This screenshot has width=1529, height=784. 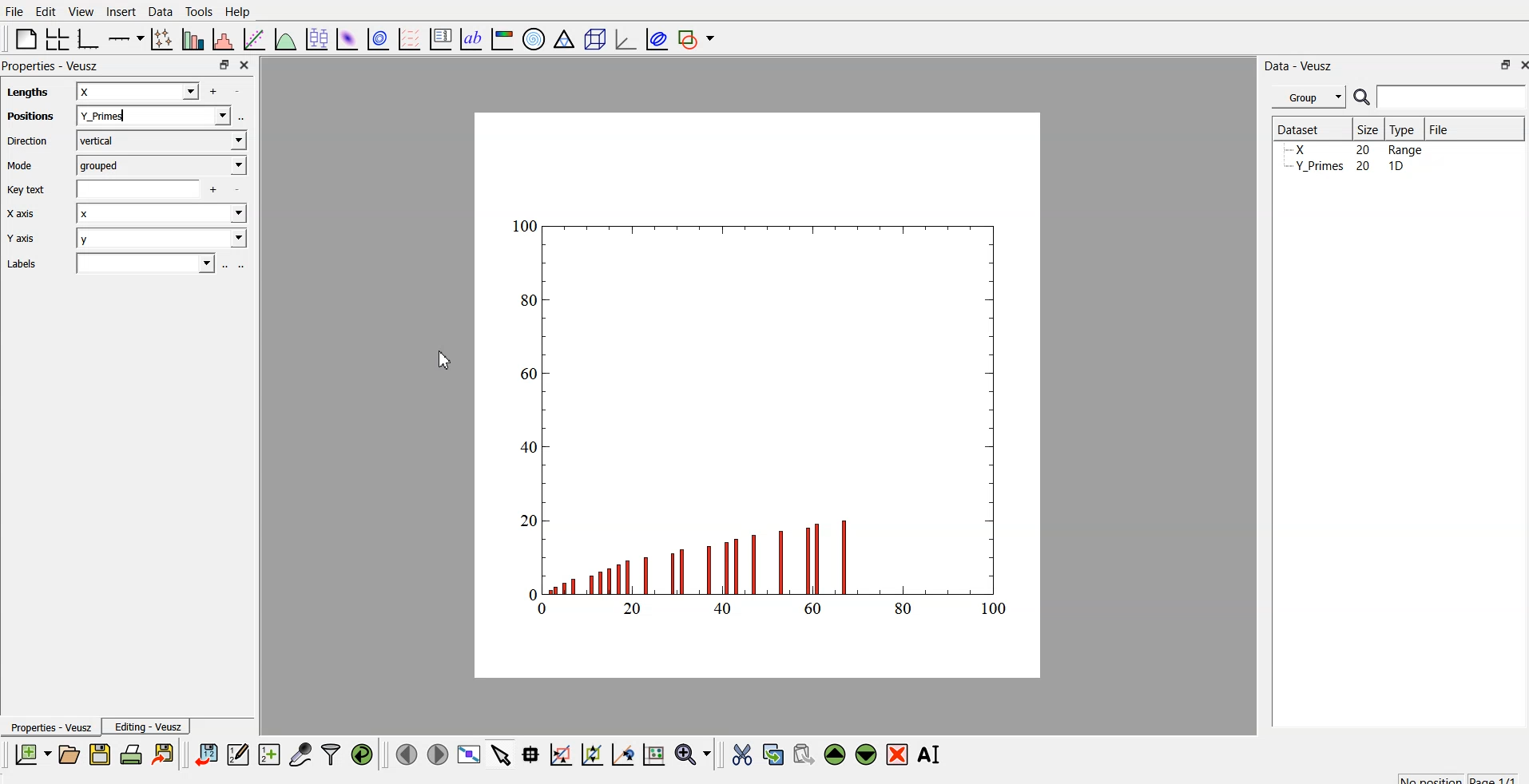 I want to click on Ternary graph, so click(x=565, y=38).